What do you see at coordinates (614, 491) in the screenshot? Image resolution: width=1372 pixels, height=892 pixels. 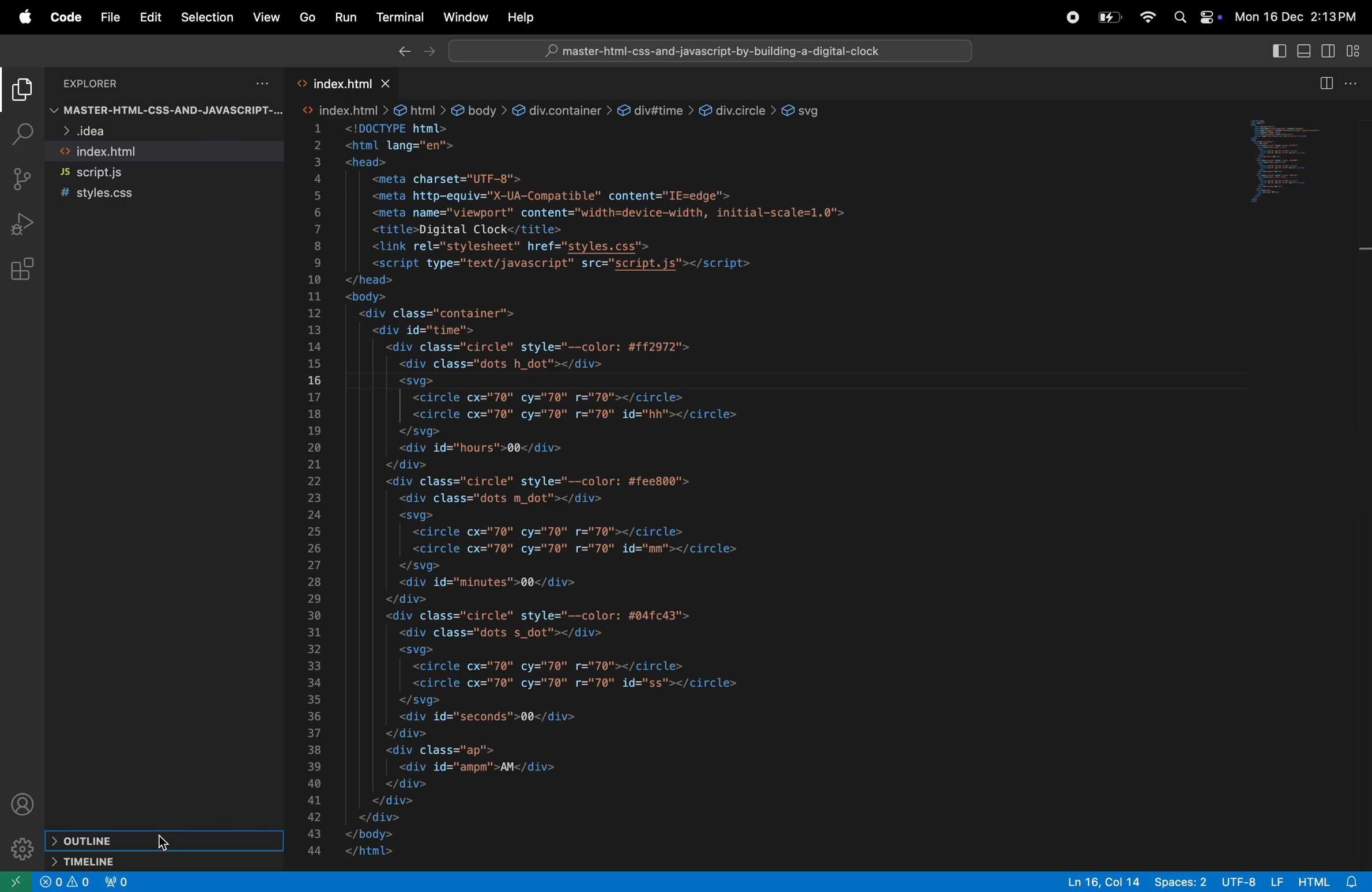 I see `<html lang="en">
<head>
<meta charset="UTF-8">
<meta http-equiv="X-UA-Compatible" content="IE=edge">
<meta name="viewport" content="width=device-width, initial-scale=1.0">
<title>Digital Clock</title>
<link rel="stylesheet" href="styles.css">
<script type="text/javascript" src="script.js"></script>
</head>
<body>
<div class="container">
<div id="time">
<div class="circle" style="--color: #ff2972">
<div class="dots h_dot"></div>
<svg>
<circle cx="70" cy="70" r="70"></circle>
<circle cx="70" cy="70" r="70" id="hh"></circle>
</svg>
<div id="hours">00</div>
</div>
<div class="circle" style="--color: #fee800">
<div class="dots m_dot"></div>
<svg>
<circle cx="70" cy="70" r="70"></circle>
<circle cx="70" cy="70" r="70" id="mm"></circle>
</svg>
<div id="minutes">00</div>
</div>
<div class="circle" style="--color: #04fc43">
<div class="dots s_dot"></div>
<svg>
<circle cx="70" cy="70" r="70"></circle>
<circle cx="70" cy="70" r="70" id="ss"></circle>
</svg>
<div id="seconds">00</div>
</div>
<div class="ap">
<div id="ampm">AM</div>
</div>
</div>
</div>
</body>
</html>` at bounding box center [614, 491].